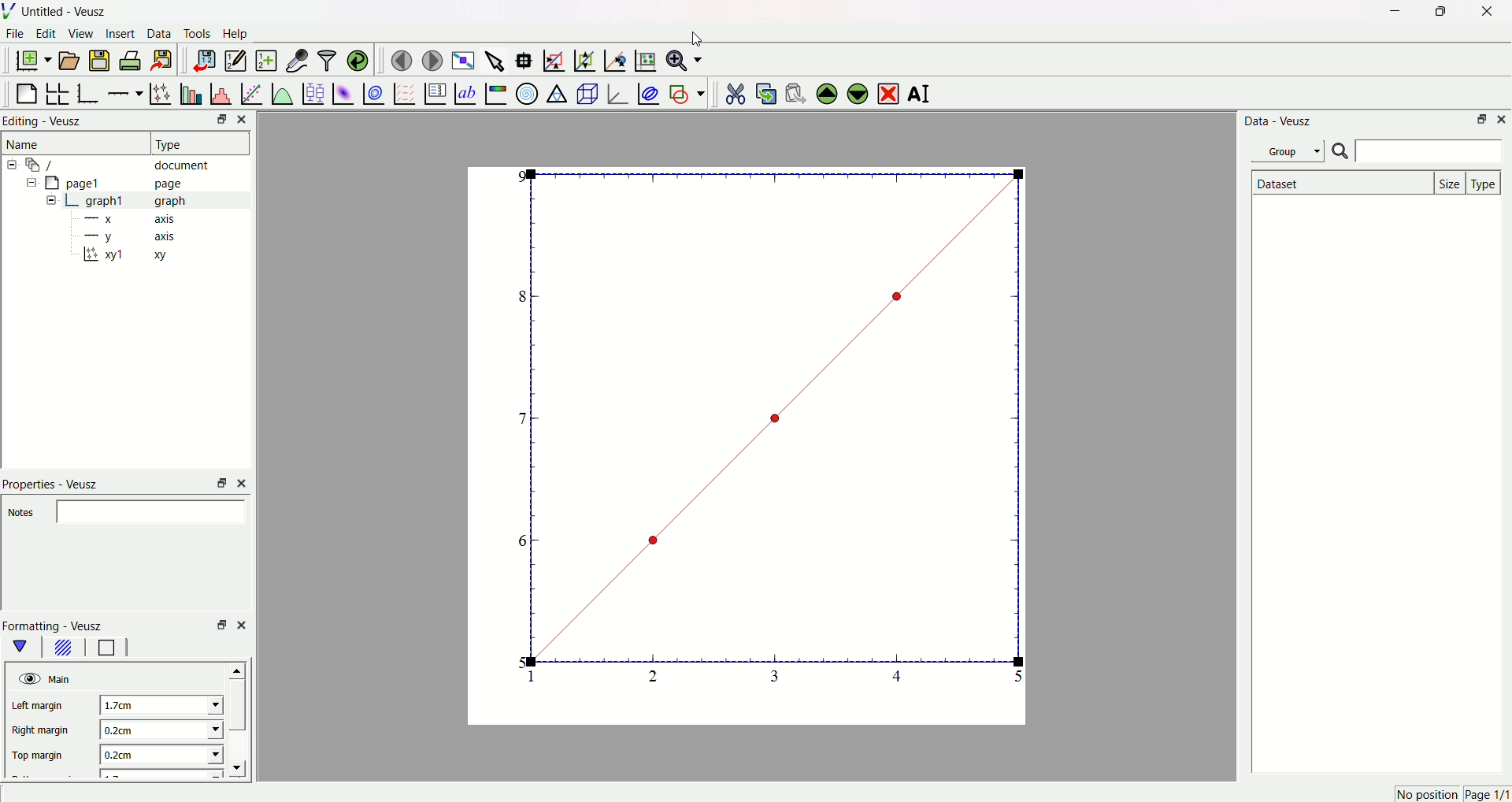 The height and width of the screenshot is (802, 1512). I want to click on top margin, so click(41, 753).